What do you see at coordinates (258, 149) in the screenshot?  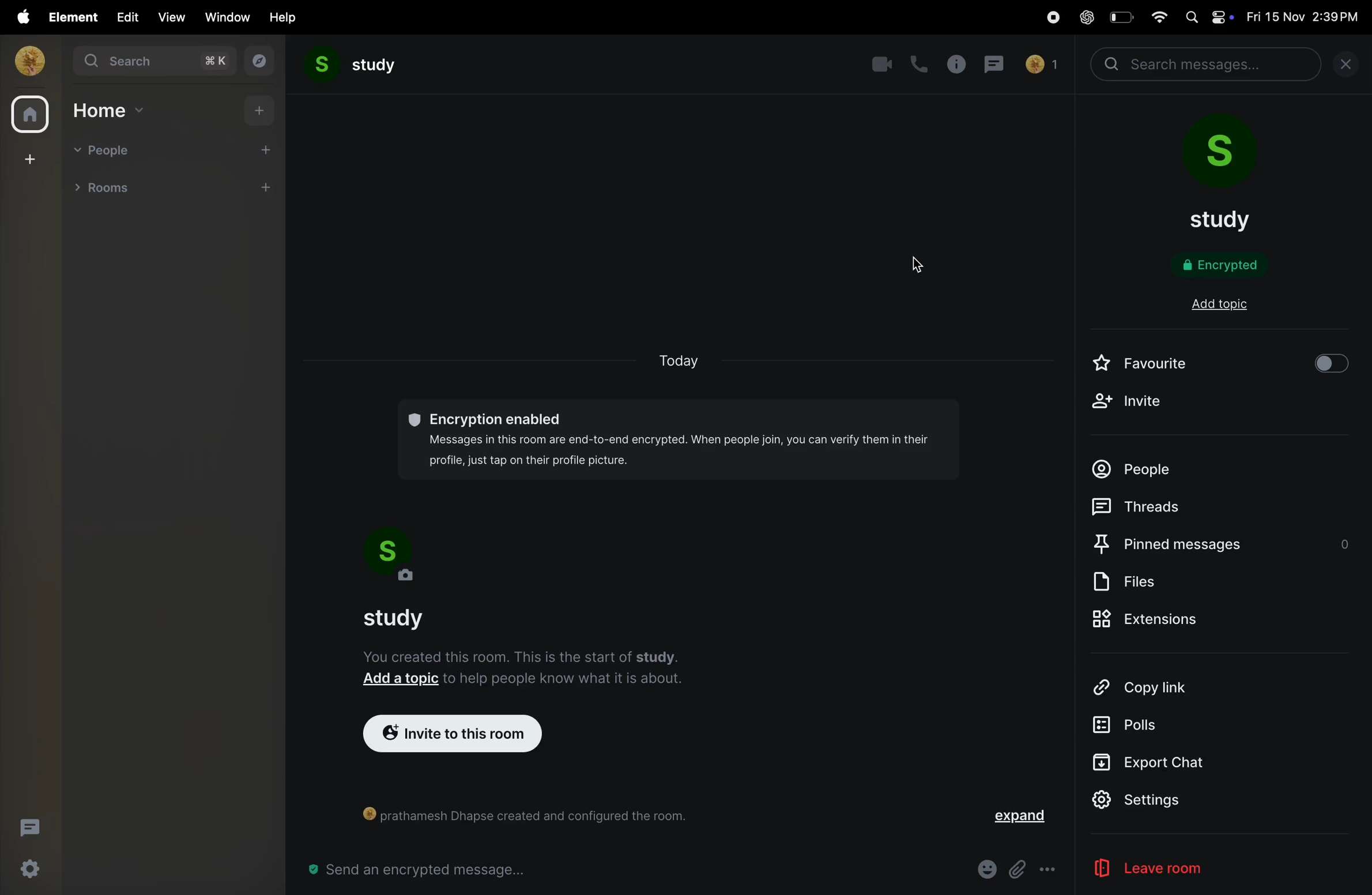 I see `add people` at bounding box center [258, 149].